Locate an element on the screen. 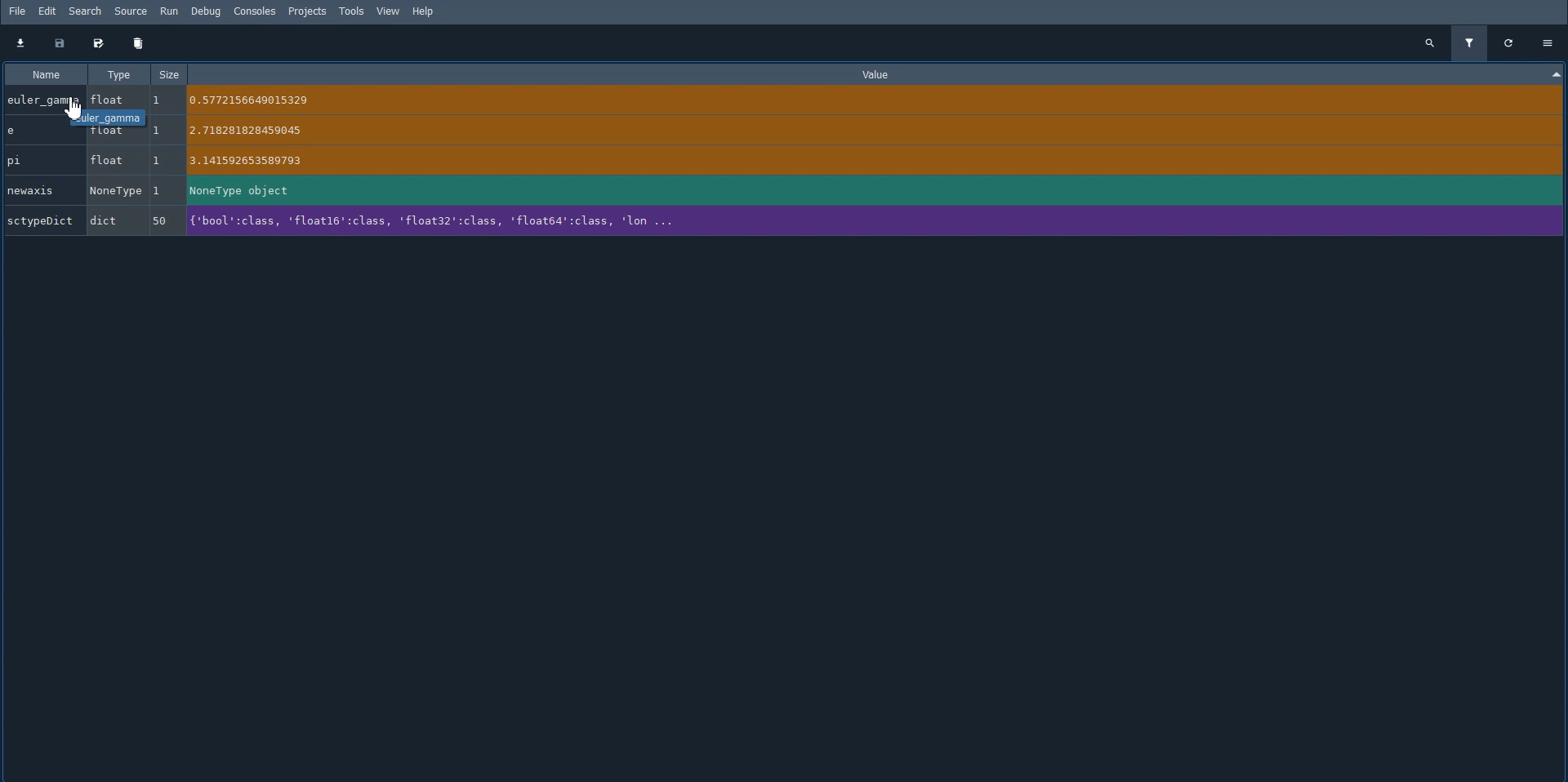 Image resolution: width=1568 pixels, height=782 pixels. newaxis is located at coordinates (415, 191).